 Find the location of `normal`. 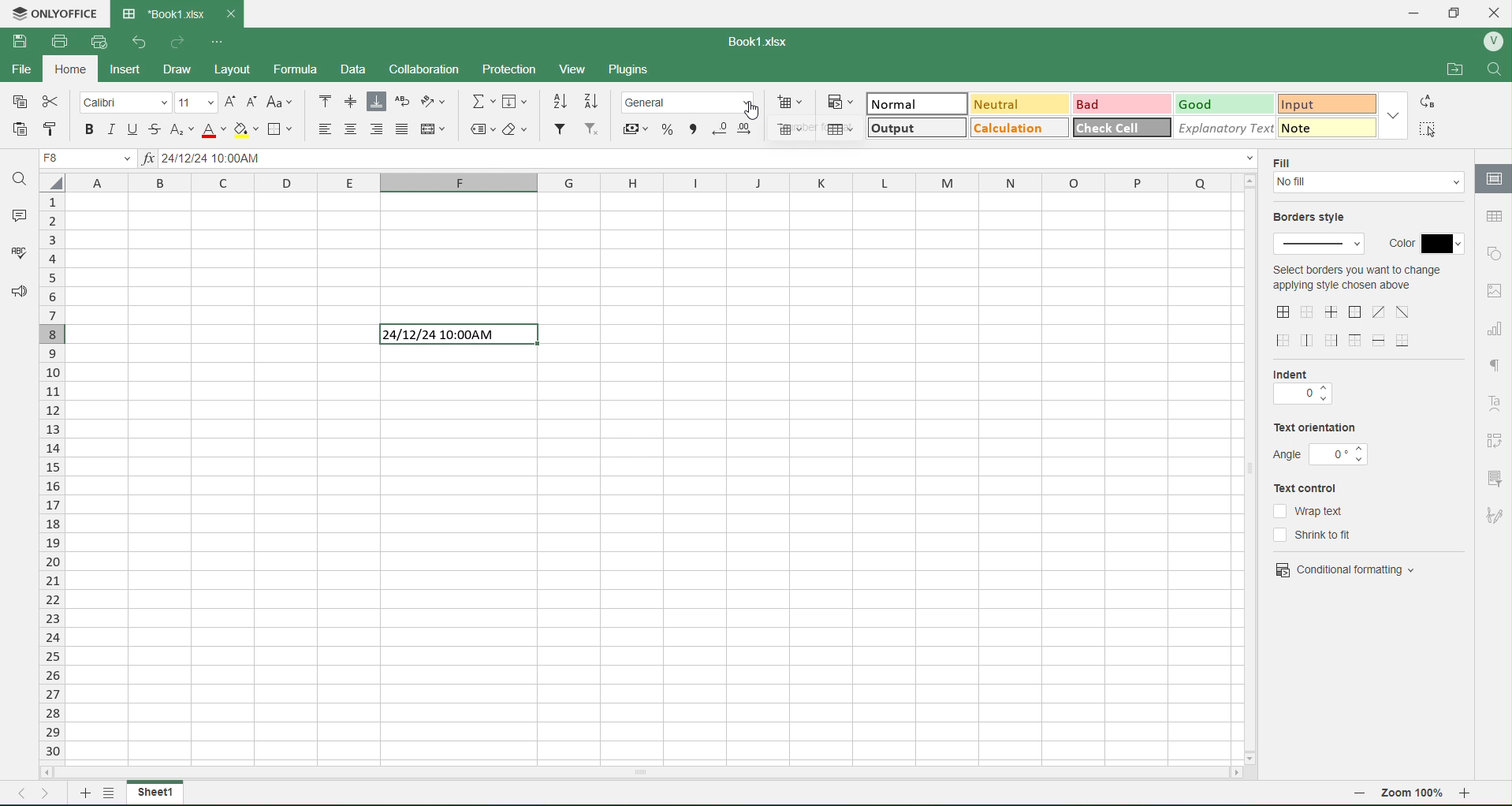

normal is located at coordinates (897, 104).